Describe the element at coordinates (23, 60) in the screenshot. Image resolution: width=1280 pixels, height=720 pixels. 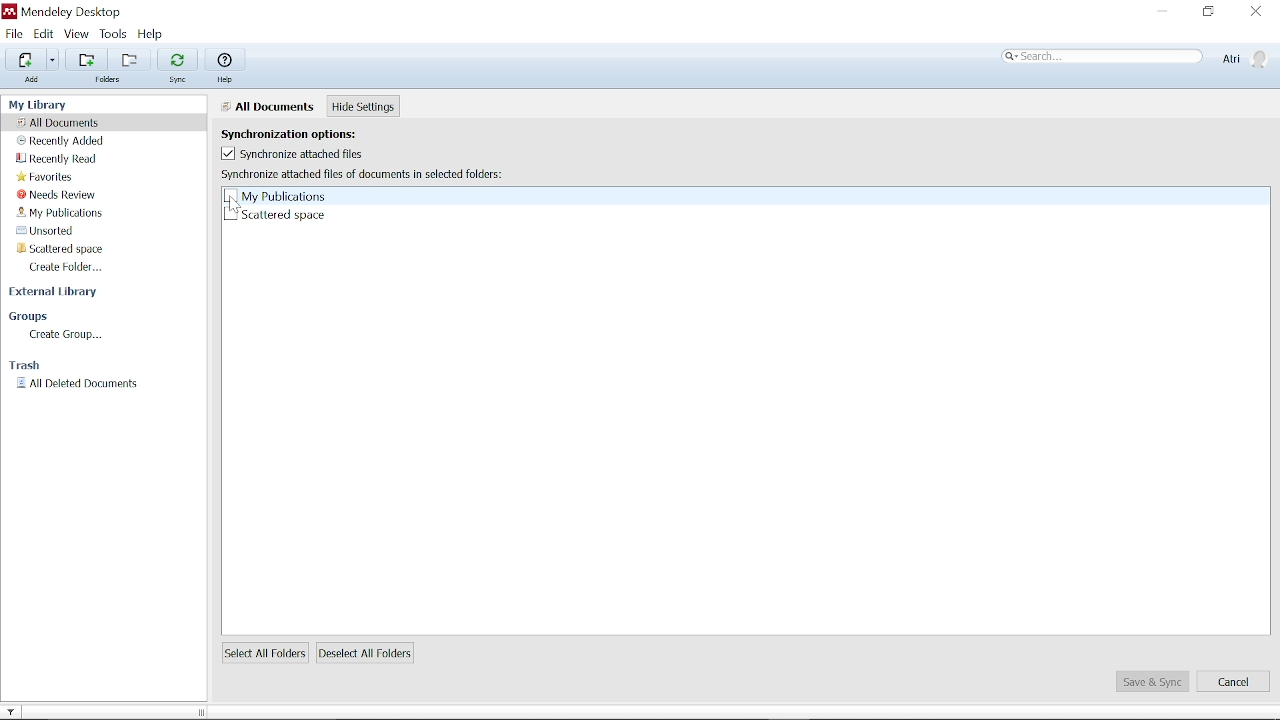
I see `Add files` at that location.